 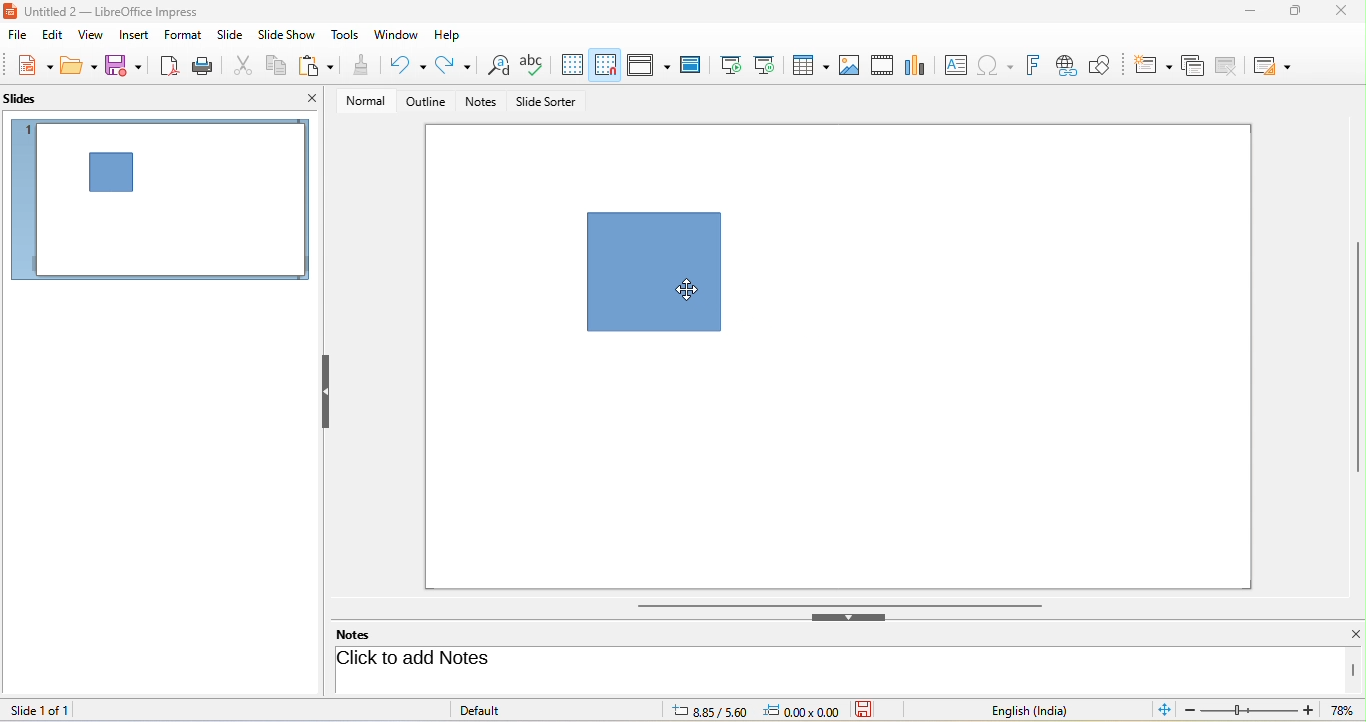 I want to click on redo, so click(x=453, y=66).